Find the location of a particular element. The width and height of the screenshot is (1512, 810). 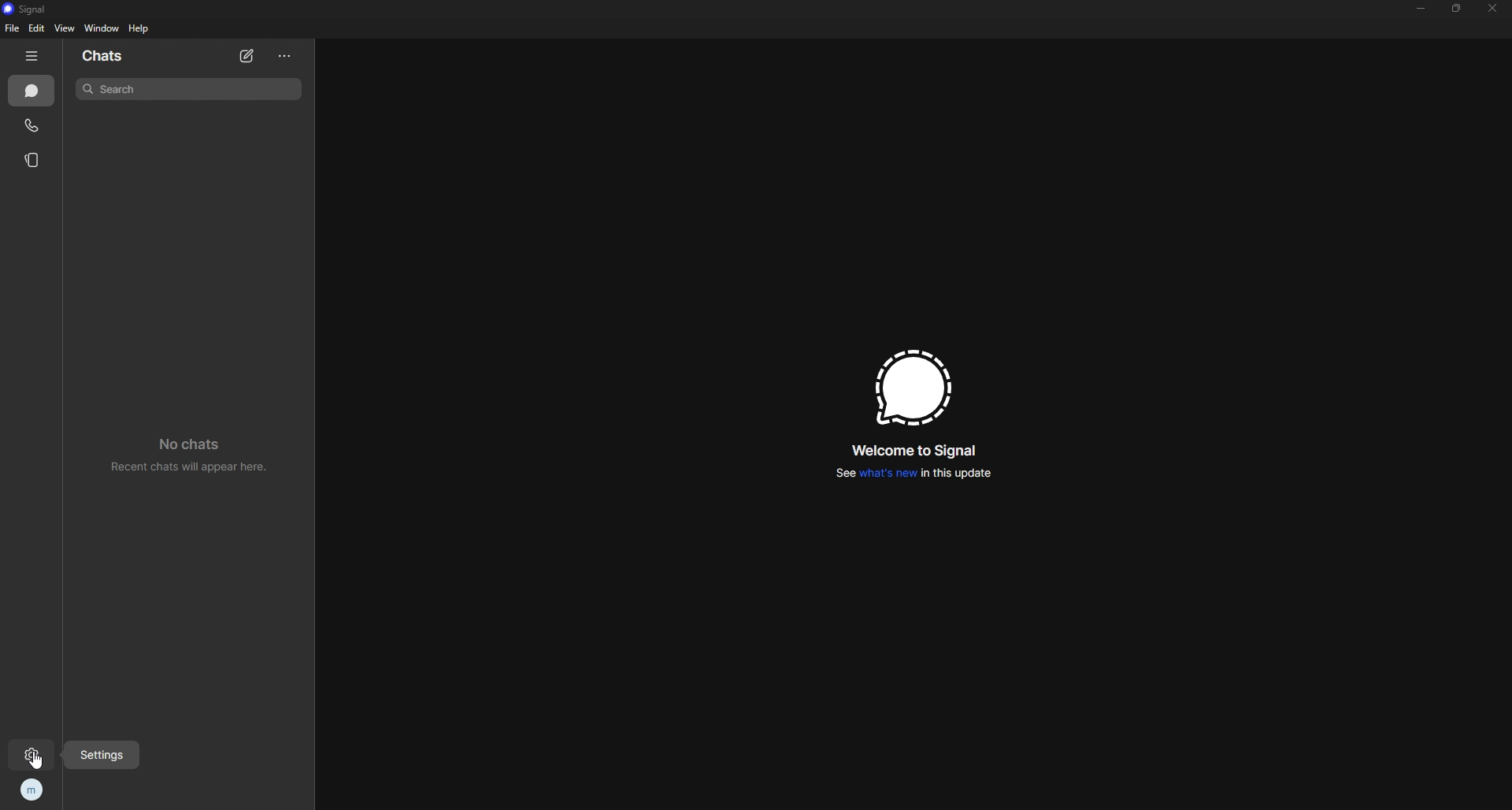

options is located at coordinates (284, 57).